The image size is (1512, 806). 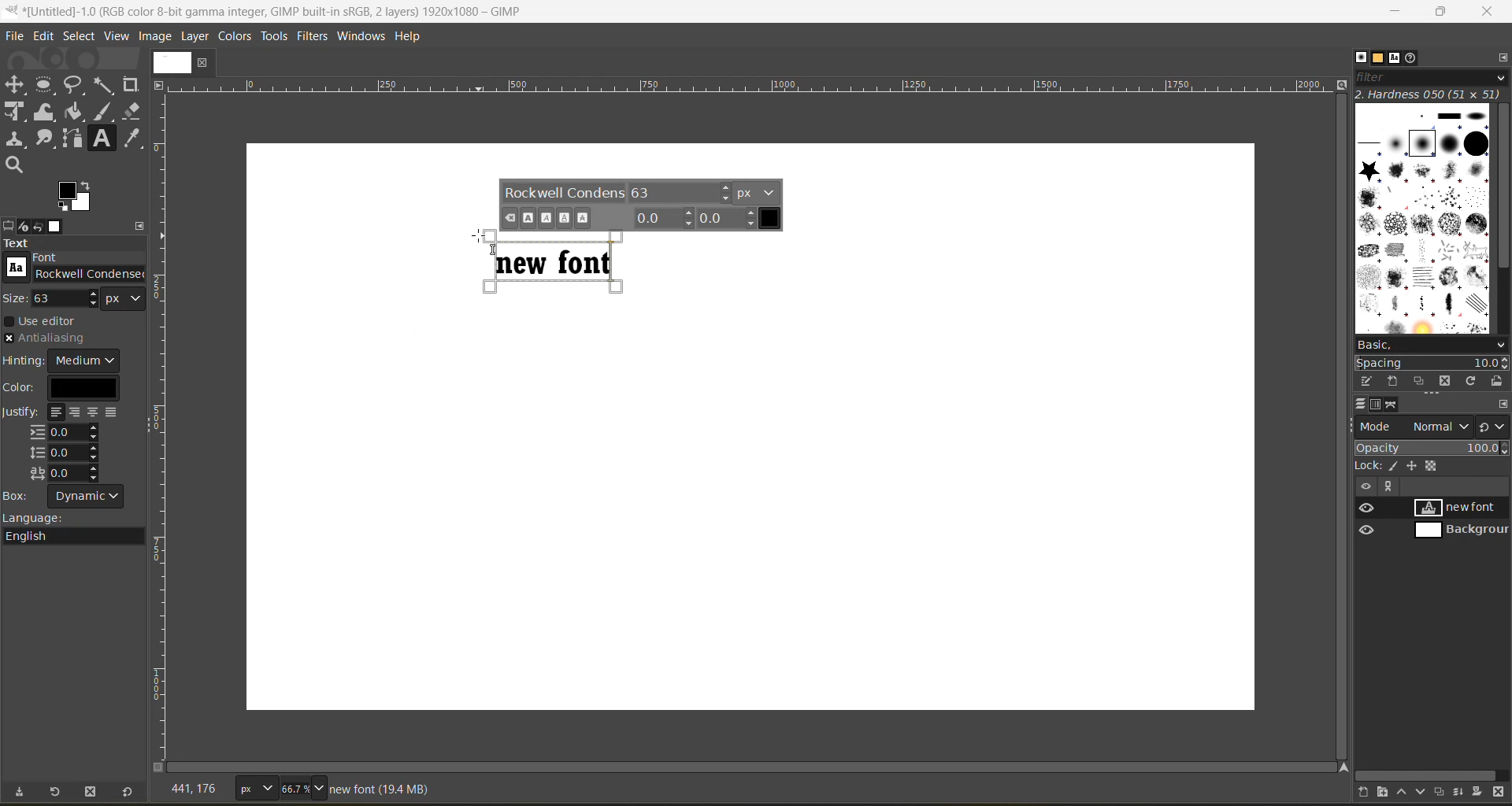 I want to click on size, so click(x=72, y=298).